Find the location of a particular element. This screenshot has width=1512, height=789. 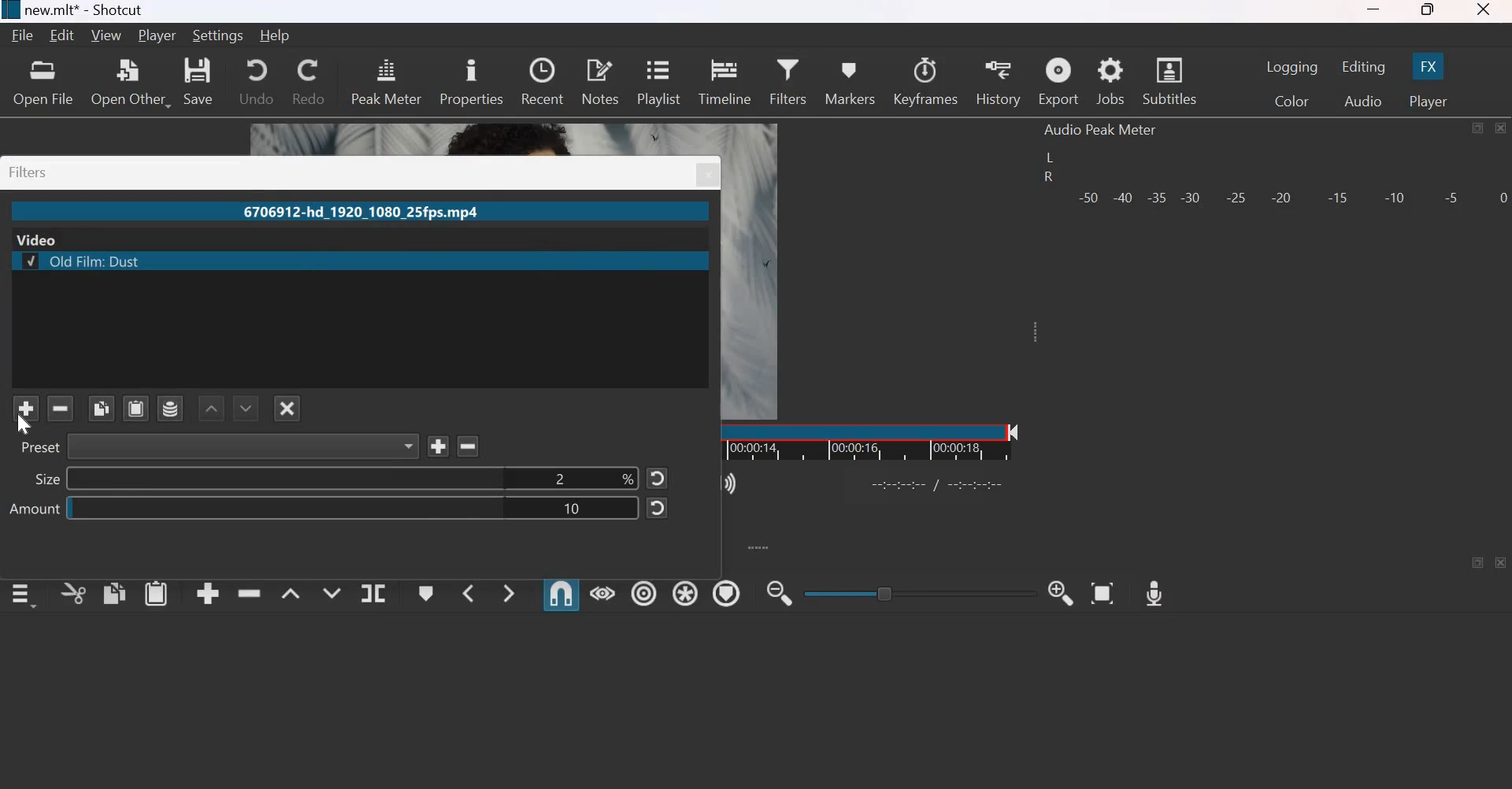

Add a filter is located at coordinates (26, 409).